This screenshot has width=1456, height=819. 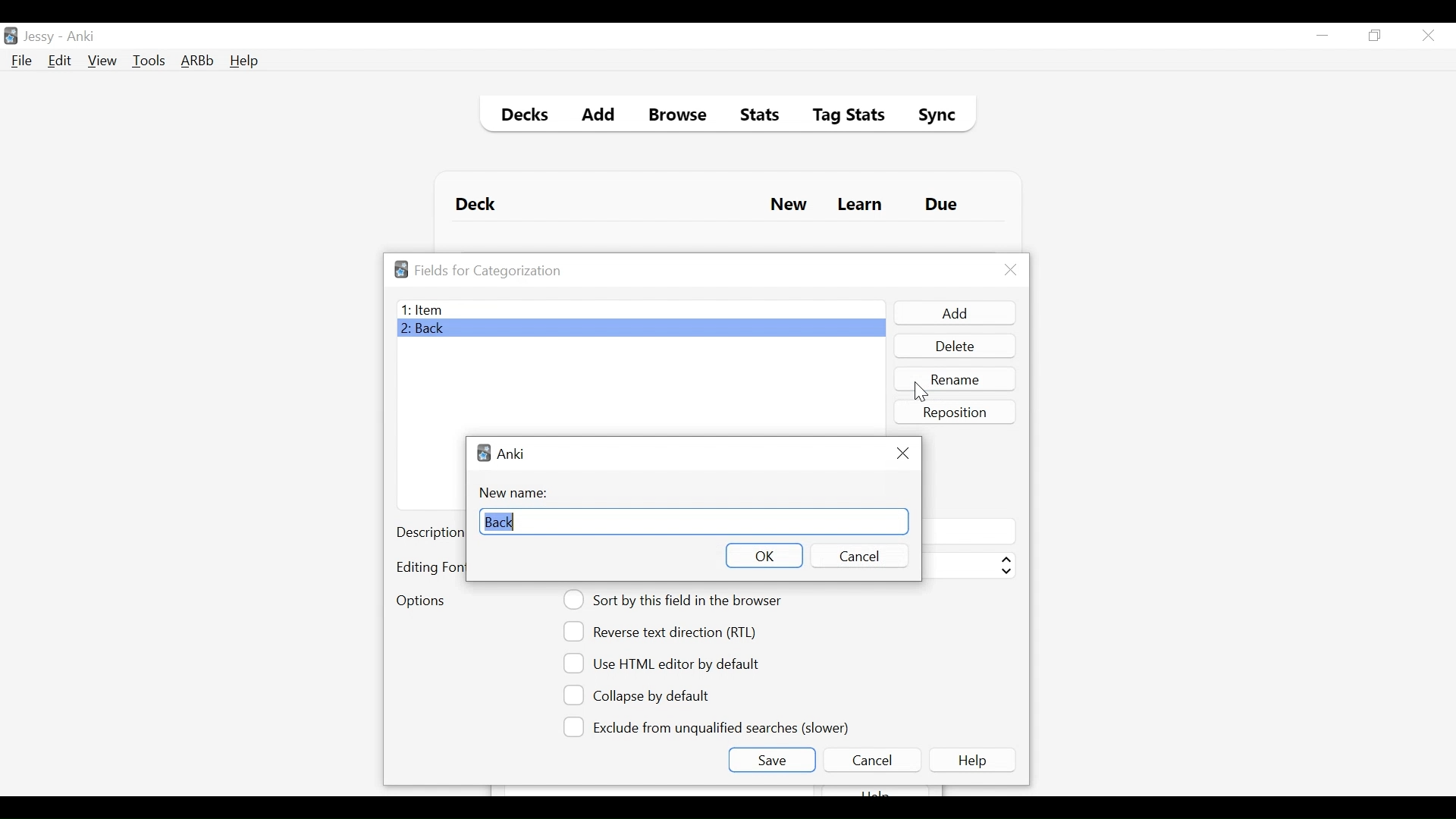 What do you see at coordinates (859, 206) in the screenshot?
I see `Learn` at bounding box center [859, 206].